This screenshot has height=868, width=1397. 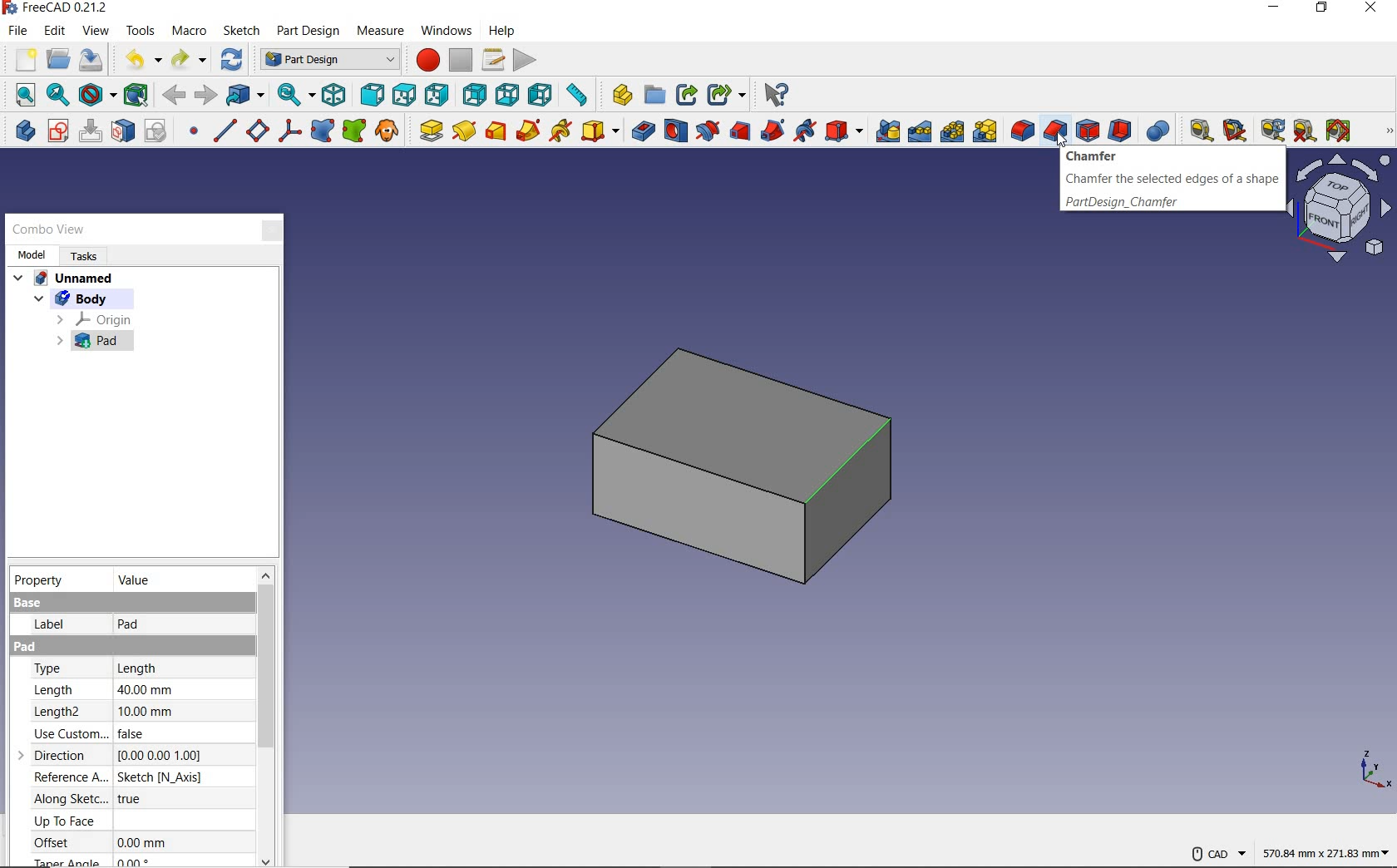 What do you see at coordinates (580, 96) in the screenshot?
I see `measure distance` at bounding box center [580, 96].